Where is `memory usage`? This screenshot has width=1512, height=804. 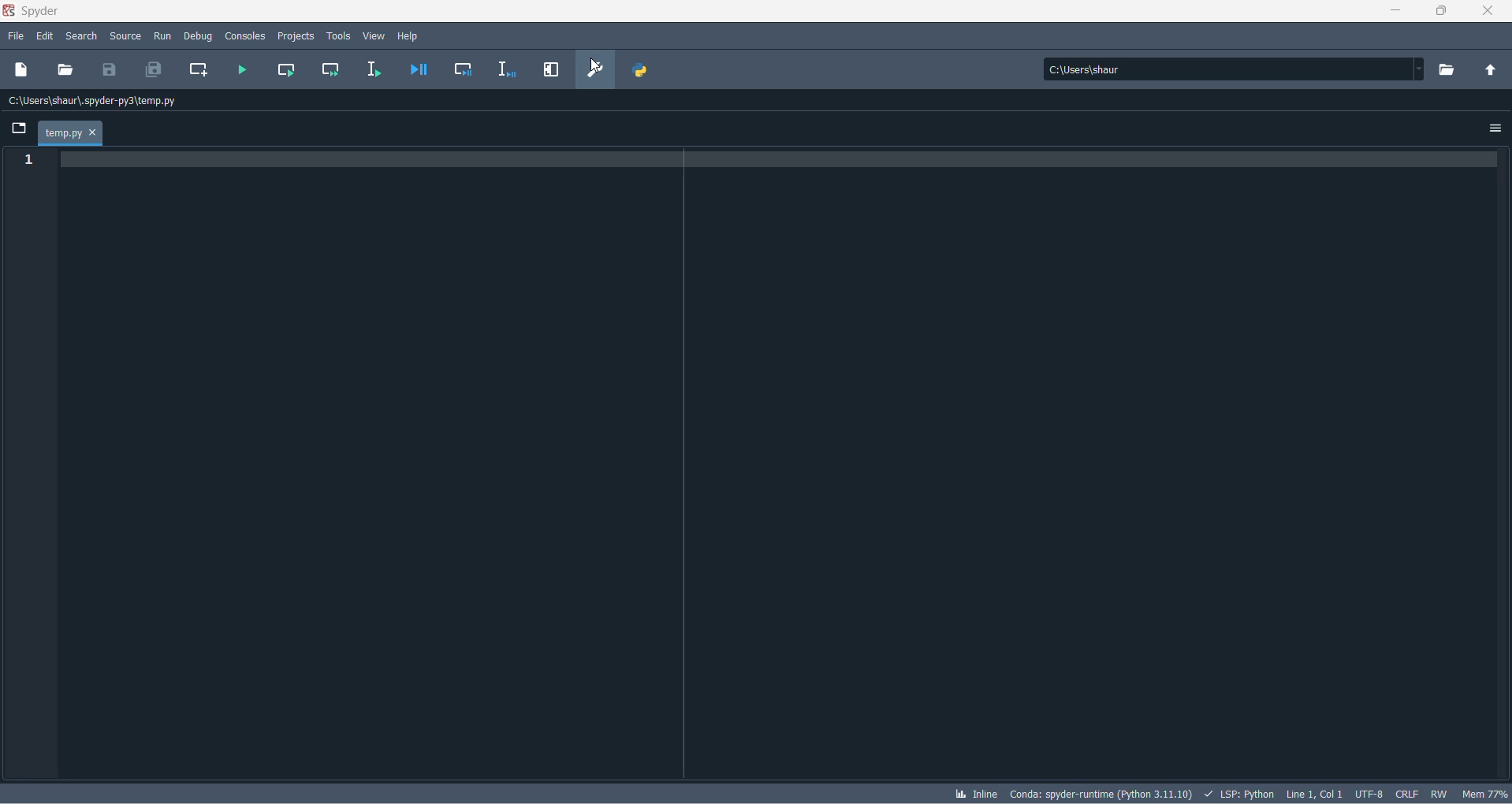
memory usage is located at coordinates (1487, 794).